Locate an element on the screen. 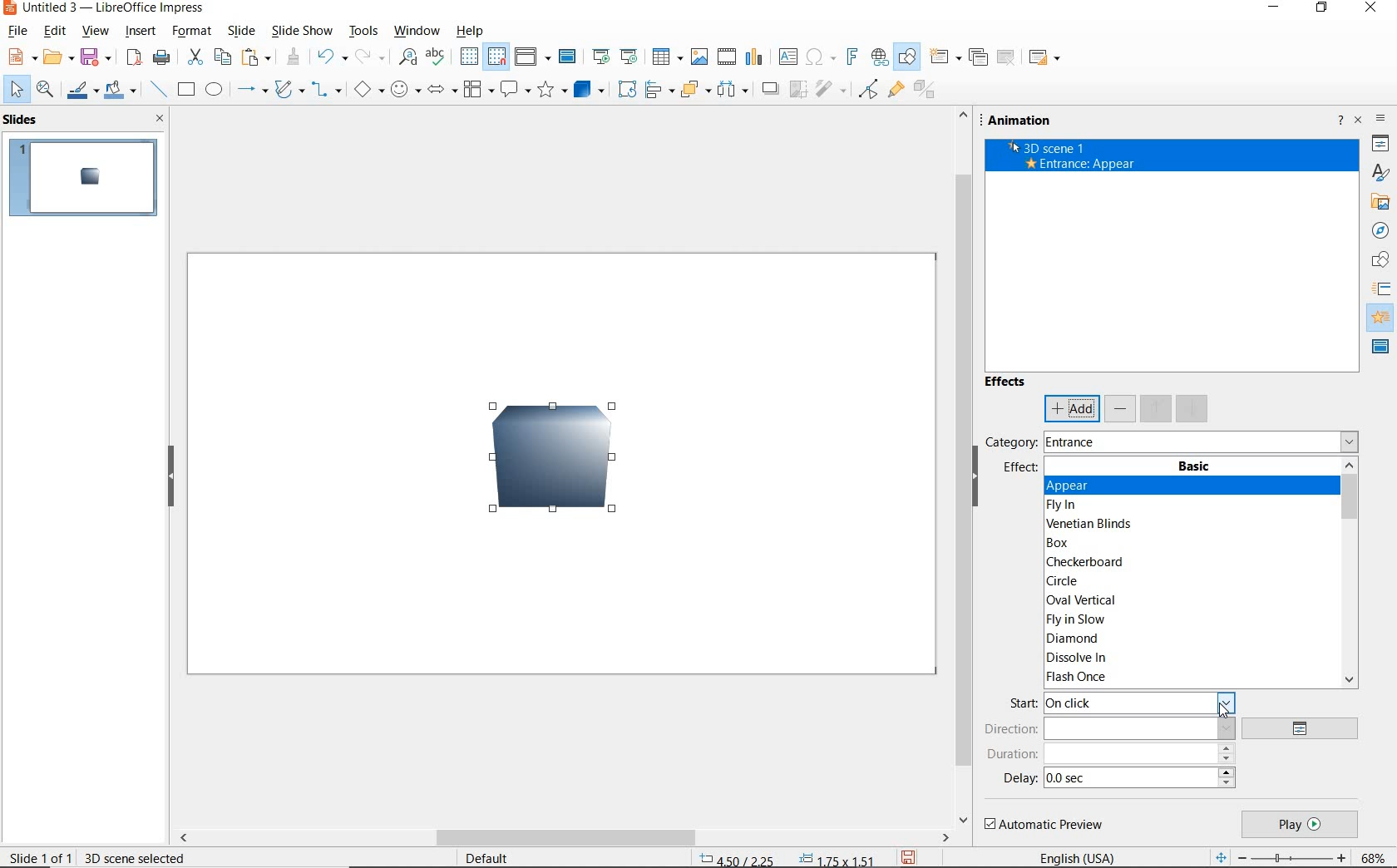 This screenshot has width=1397, height=868. default is located at coordinates (485, 856).